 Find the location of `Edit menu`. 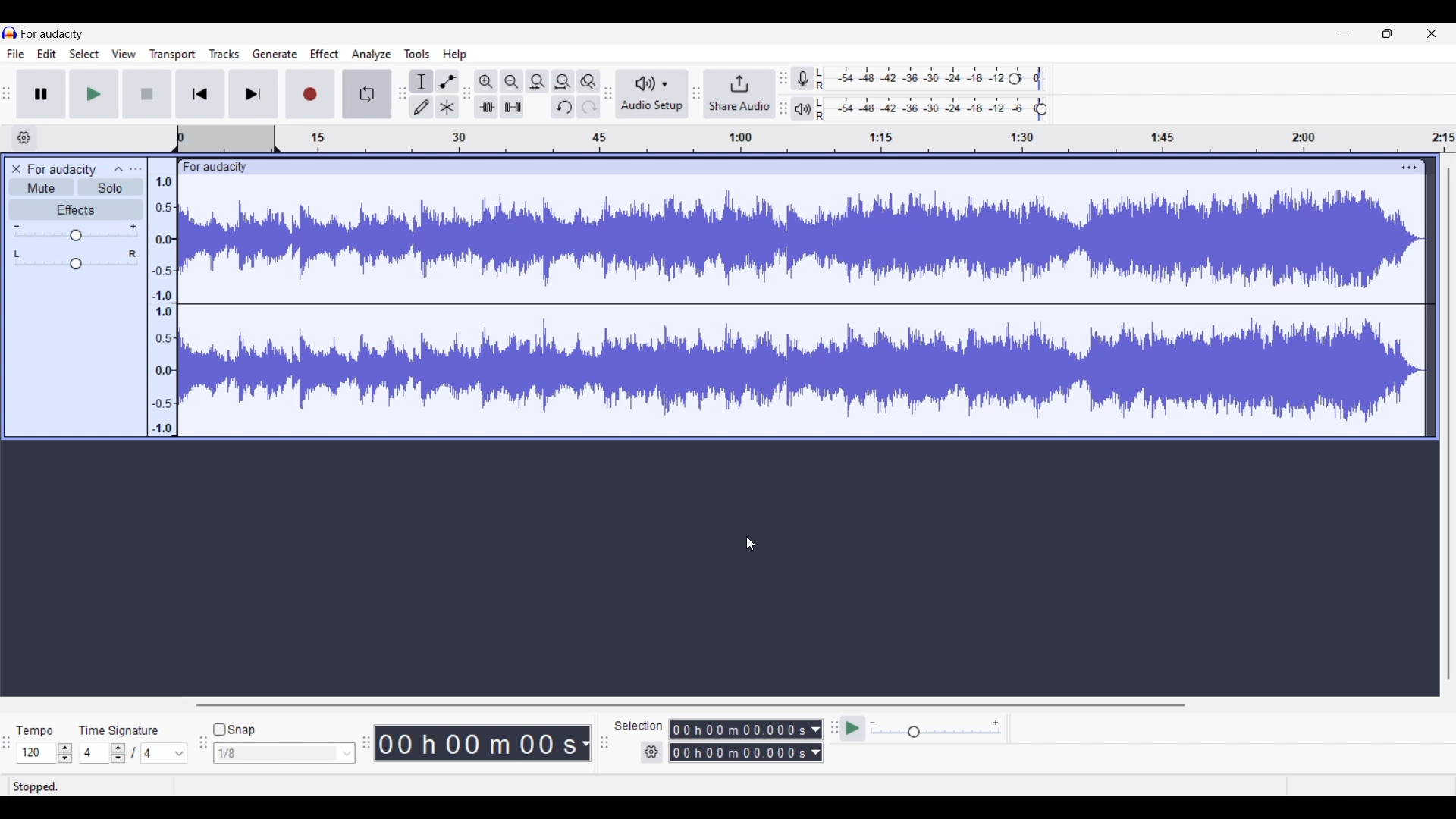

Edit menu is located at coordinates (47, 53).